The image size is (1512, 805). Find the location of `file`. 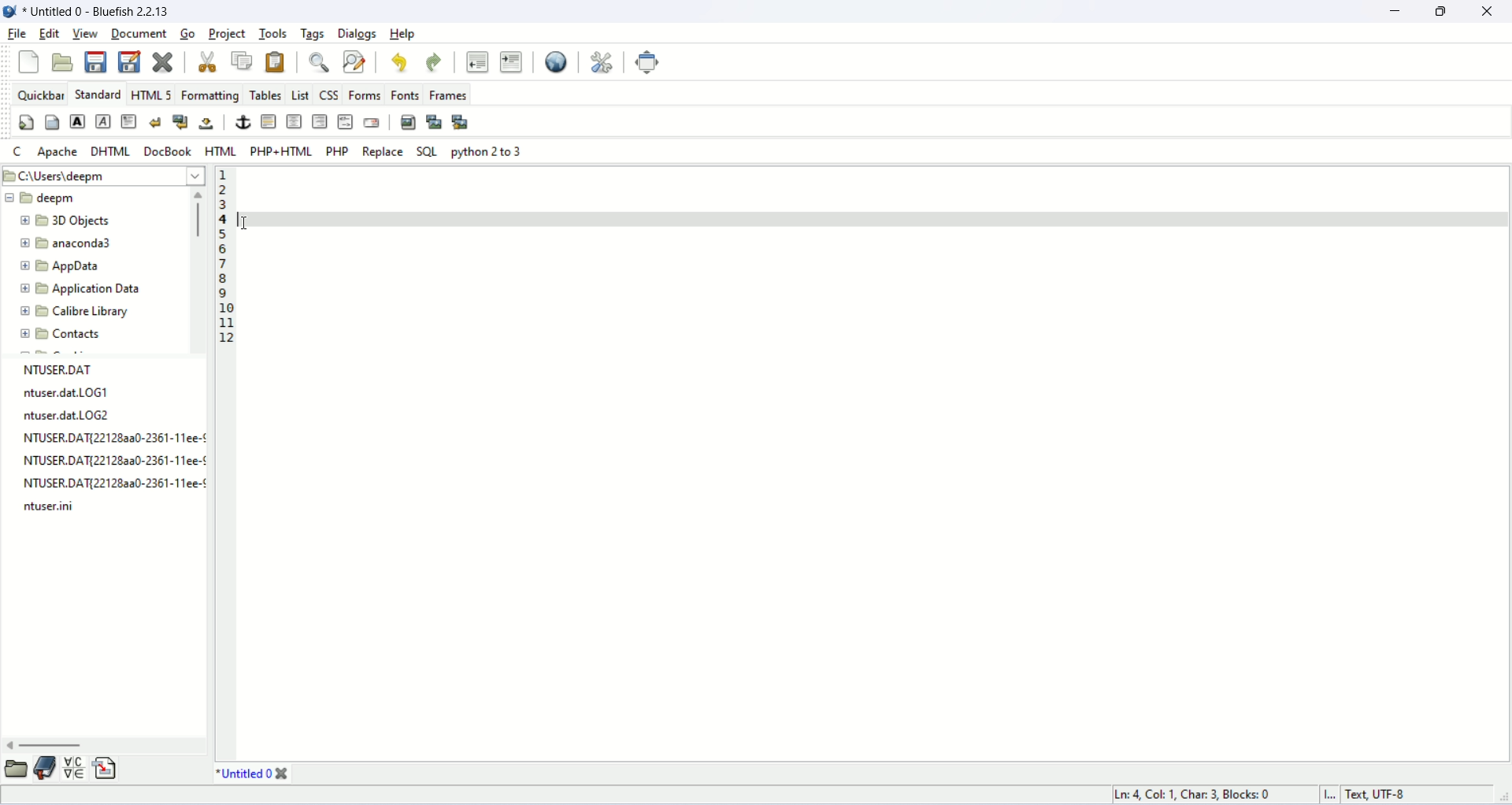

file is located at coordinates (15, 32).